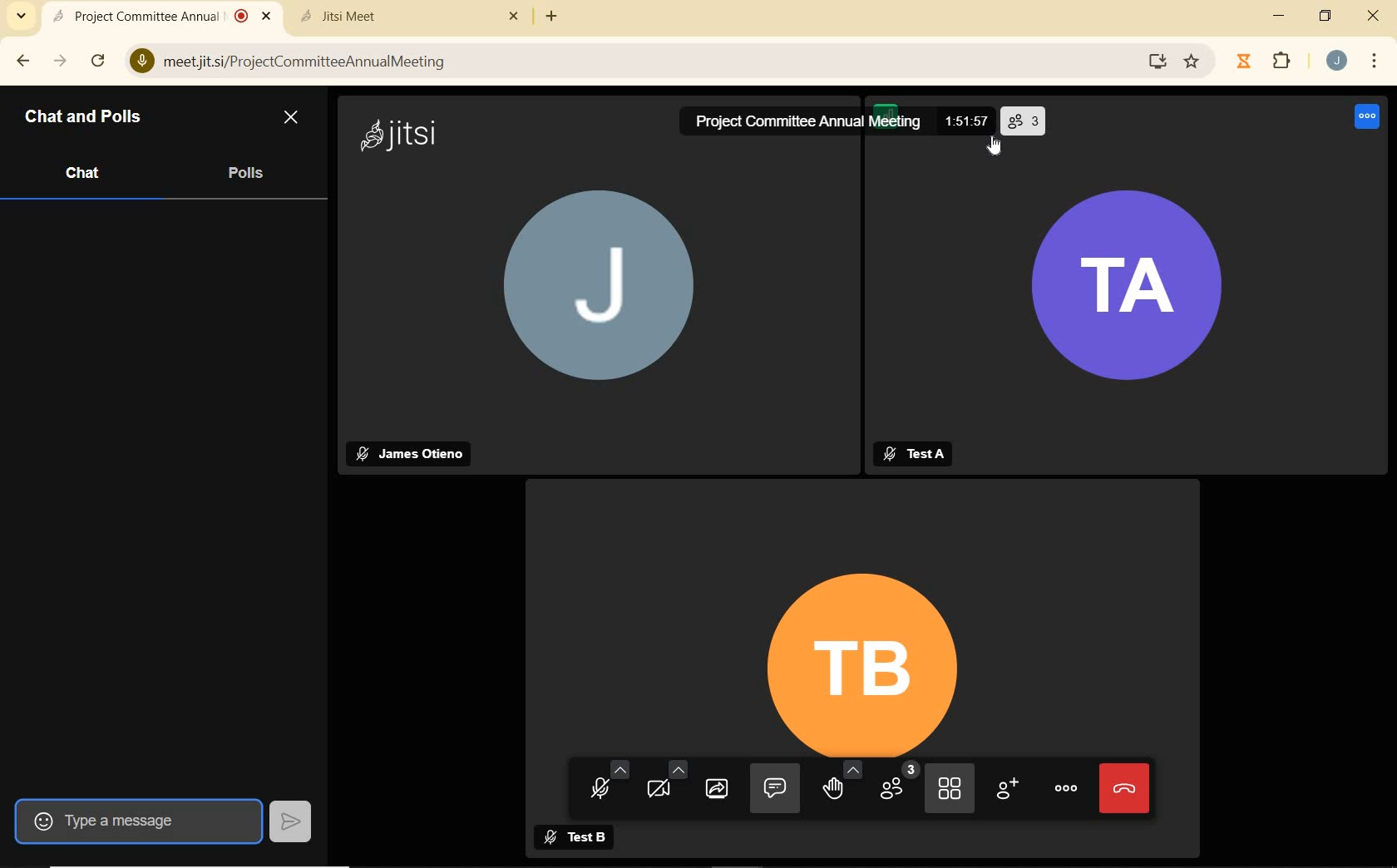 The image size is (1397, 868). Describe the element at coordinates (1150, 313) in the screenshot. I see `participant's Profile Picture` at that location.